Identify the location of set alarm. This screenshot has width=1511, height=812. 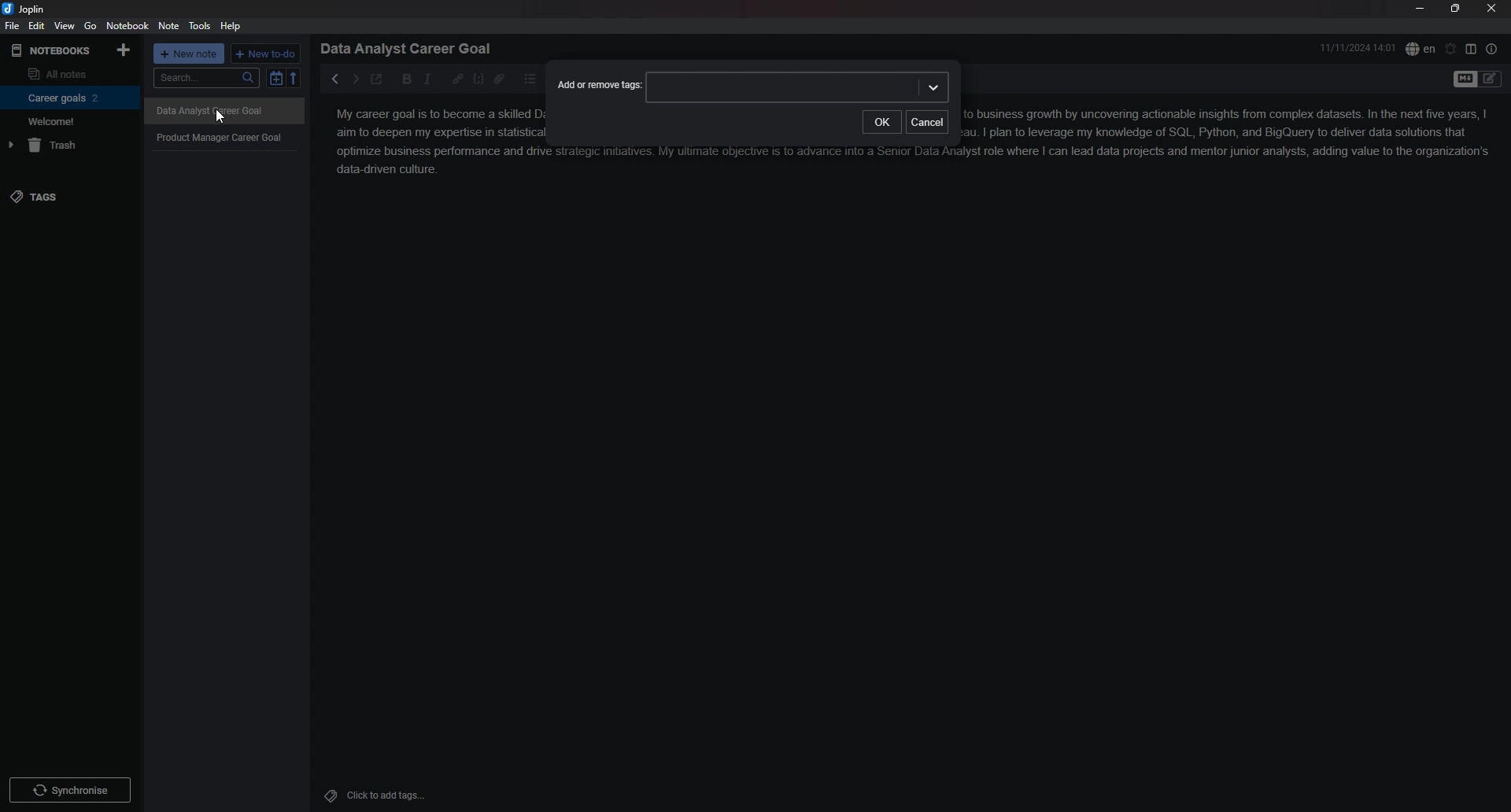
(1451, 49).